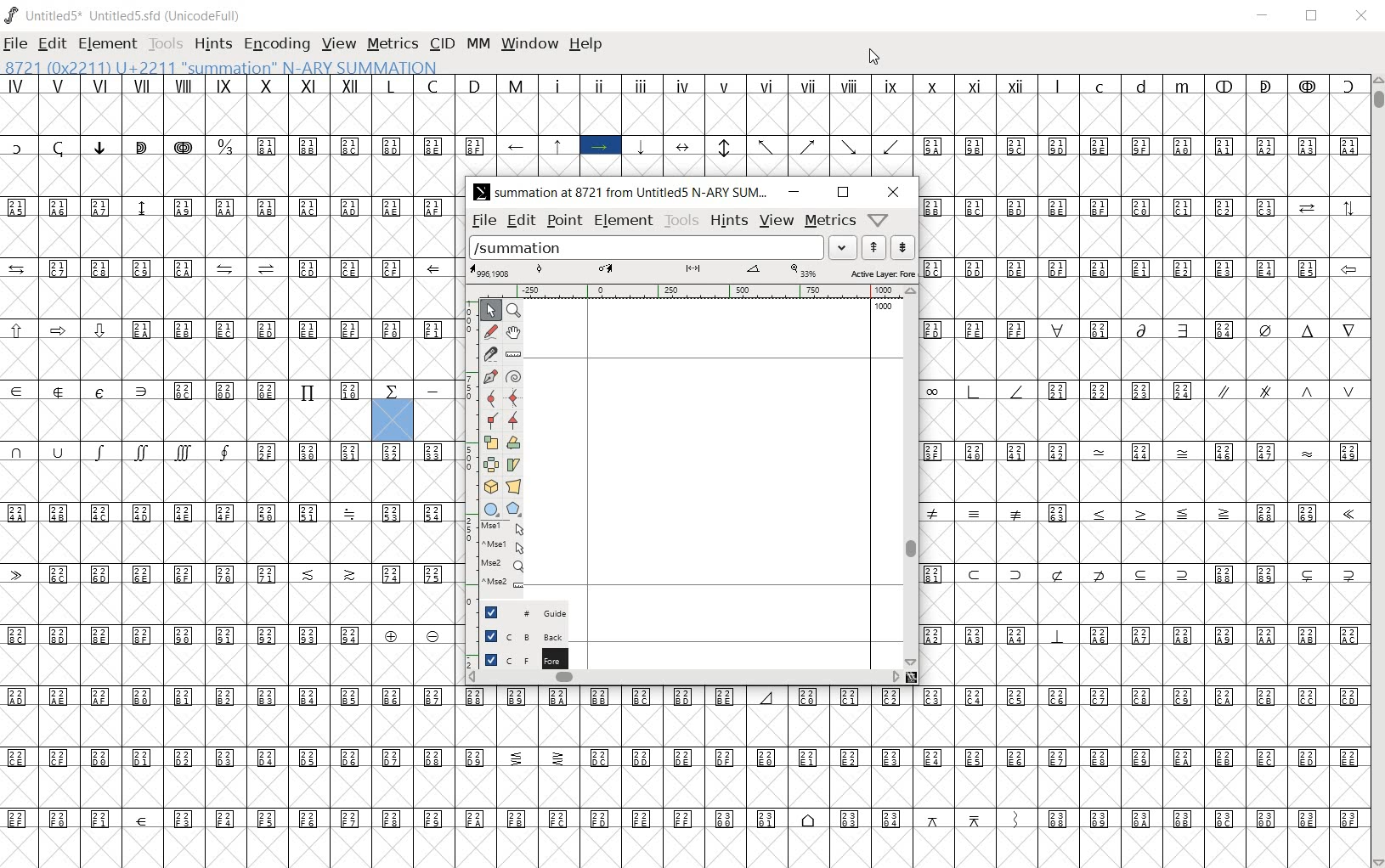 The width and height of the screenshot is (1385, 868). I want to click on foreground, so click(516, 657).